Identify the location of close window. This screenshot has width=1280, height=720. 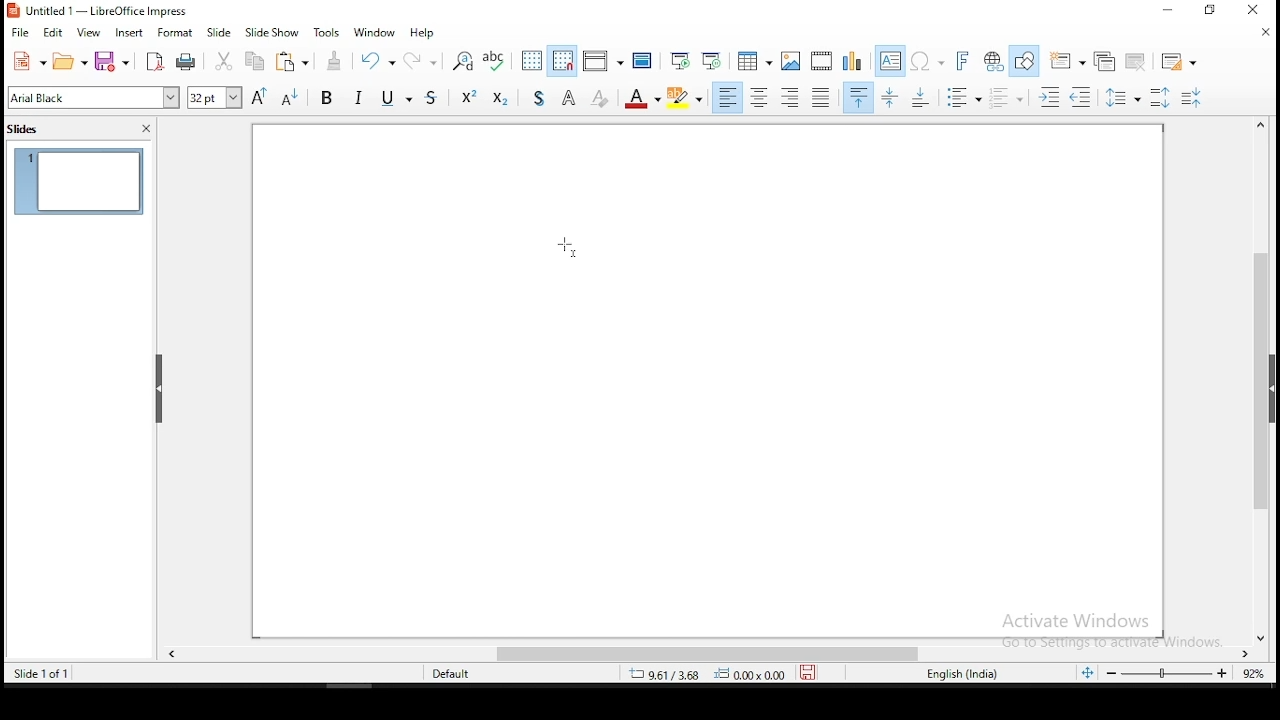
(1249, 9).